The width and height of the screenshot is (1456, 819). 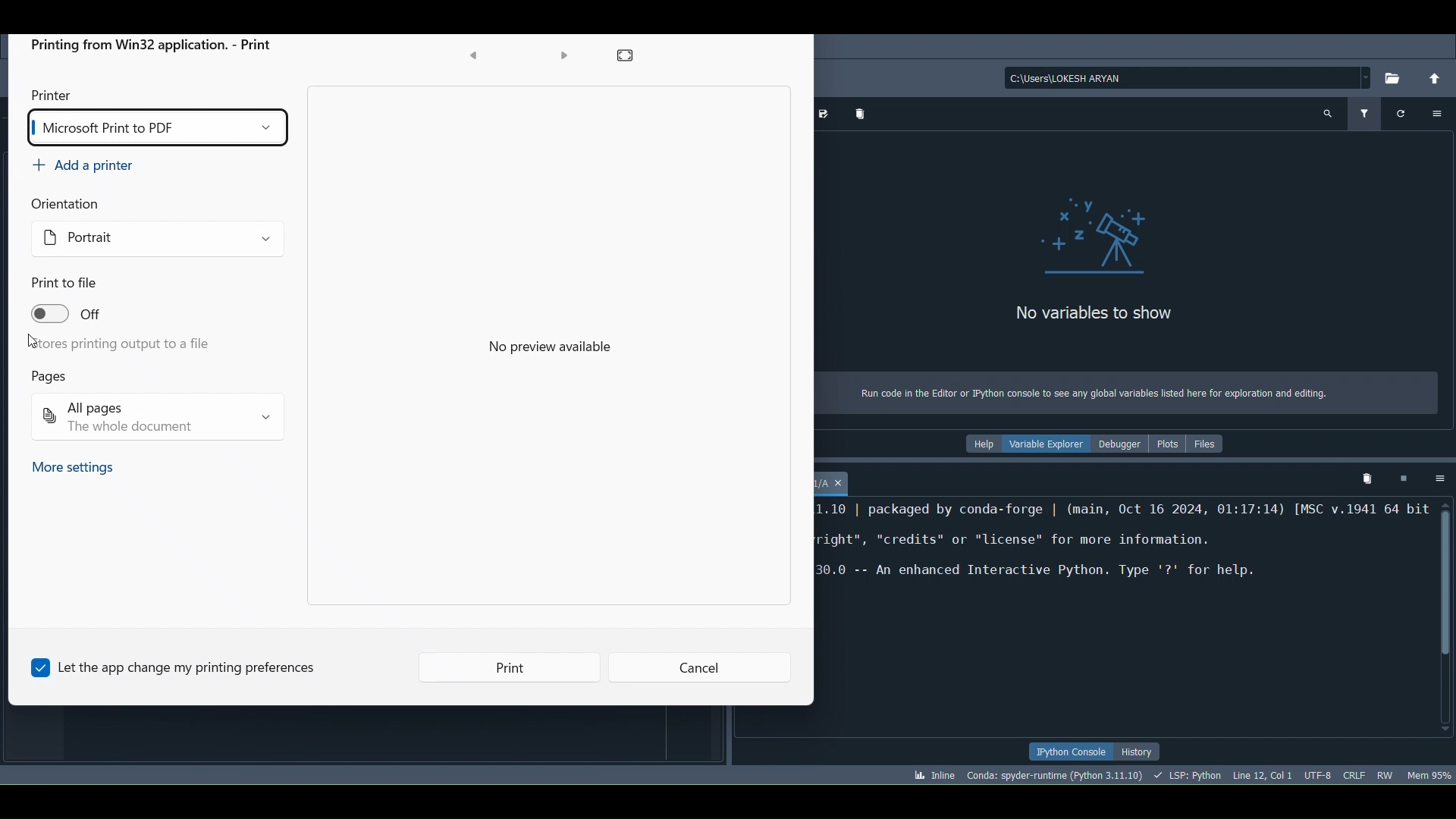 What do you see at coordinates (1402, 113) in the screenshot?
I see `Refresh variables` at bounding box center [1402, 113].